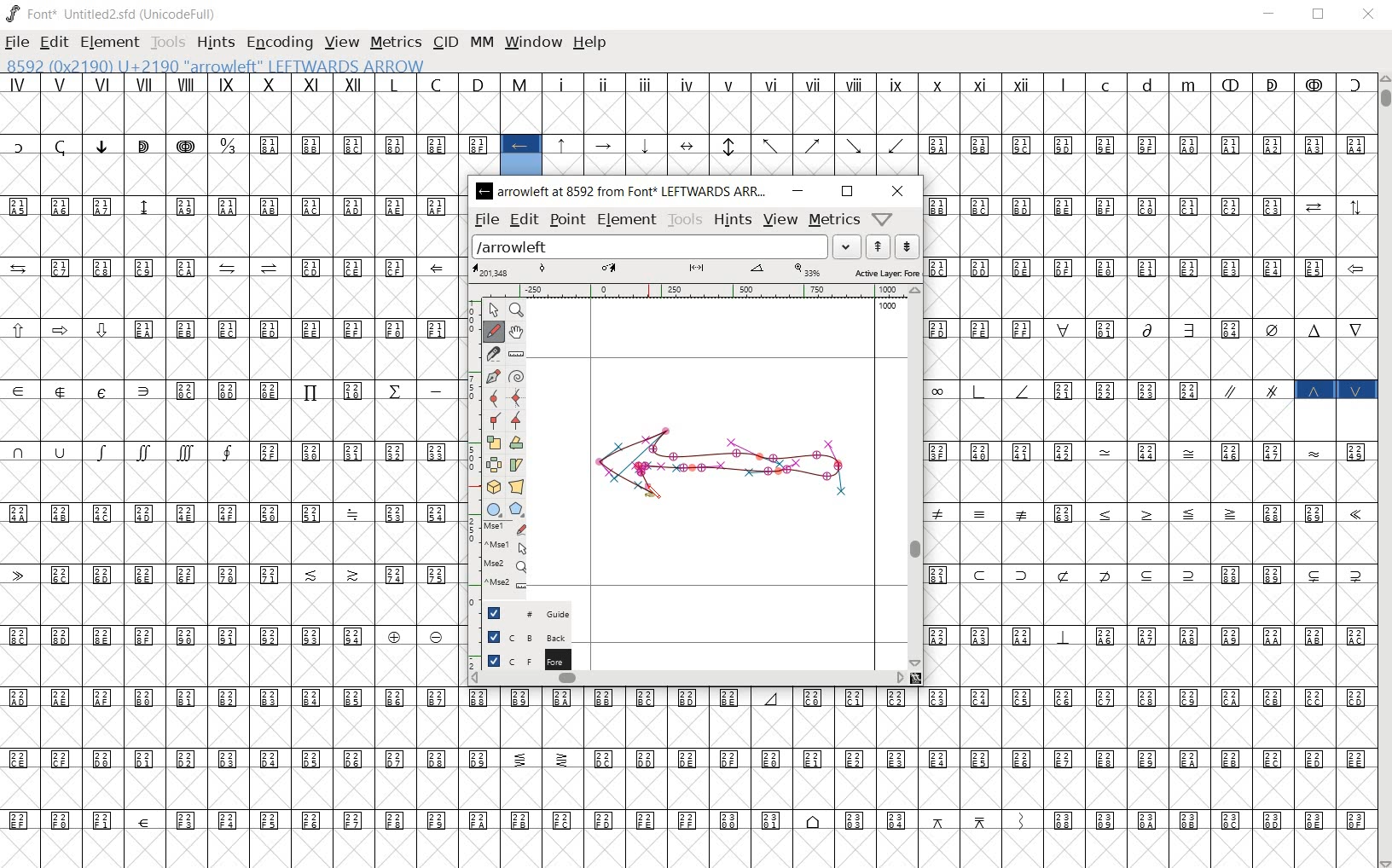  What do you see at coordinates (848, 192) in the screenshot?
I see `restore` at bounding box center [848, 192].